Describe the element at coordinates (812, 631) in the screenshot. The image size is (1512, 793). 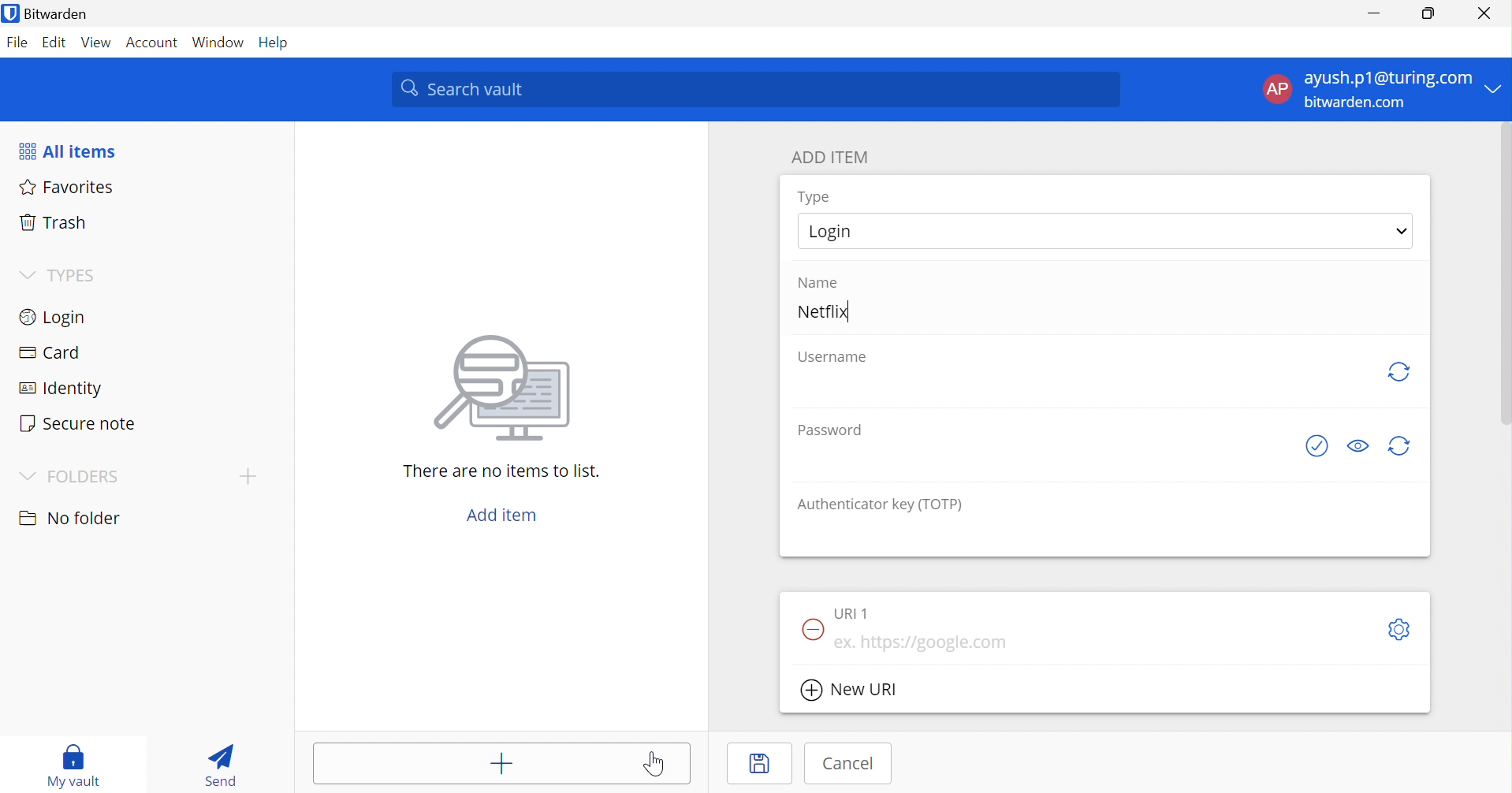
I see `Remove` at that location.